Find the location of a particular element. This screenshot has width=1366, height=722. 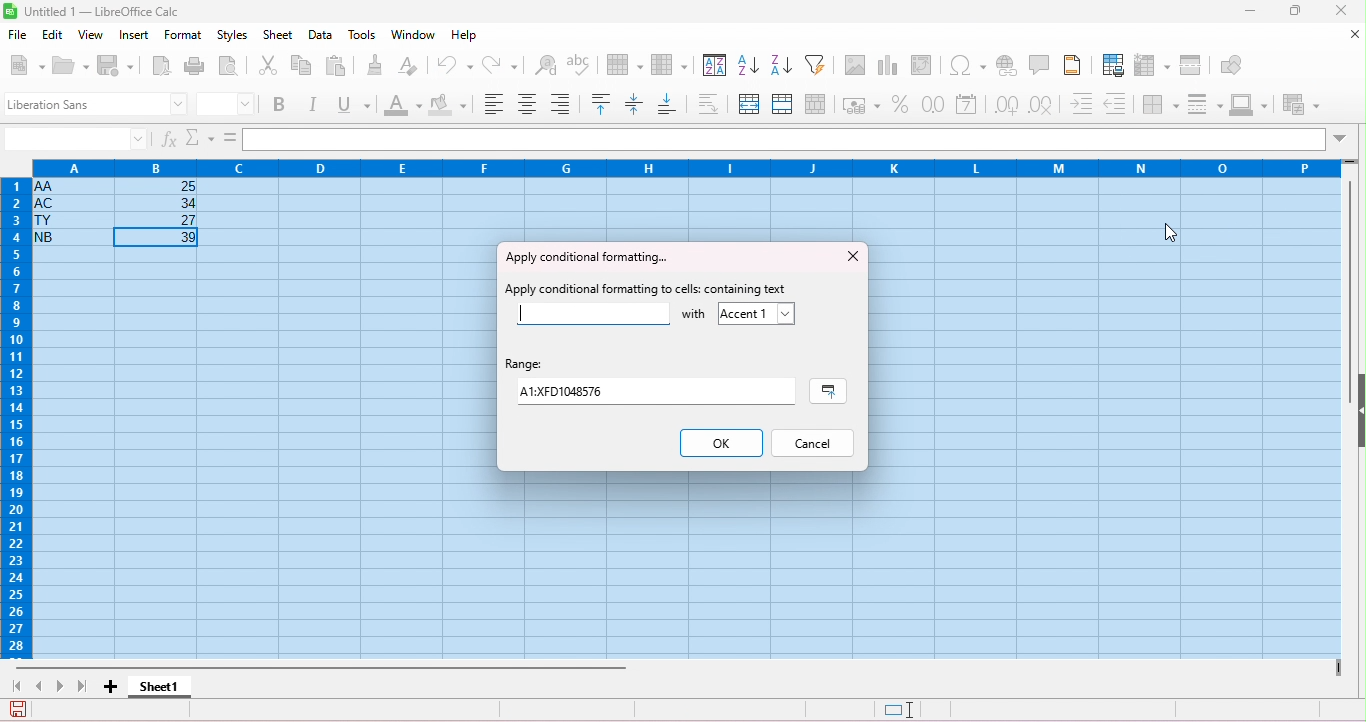

horizontal scroll bar is located at coordinates (323, 667).